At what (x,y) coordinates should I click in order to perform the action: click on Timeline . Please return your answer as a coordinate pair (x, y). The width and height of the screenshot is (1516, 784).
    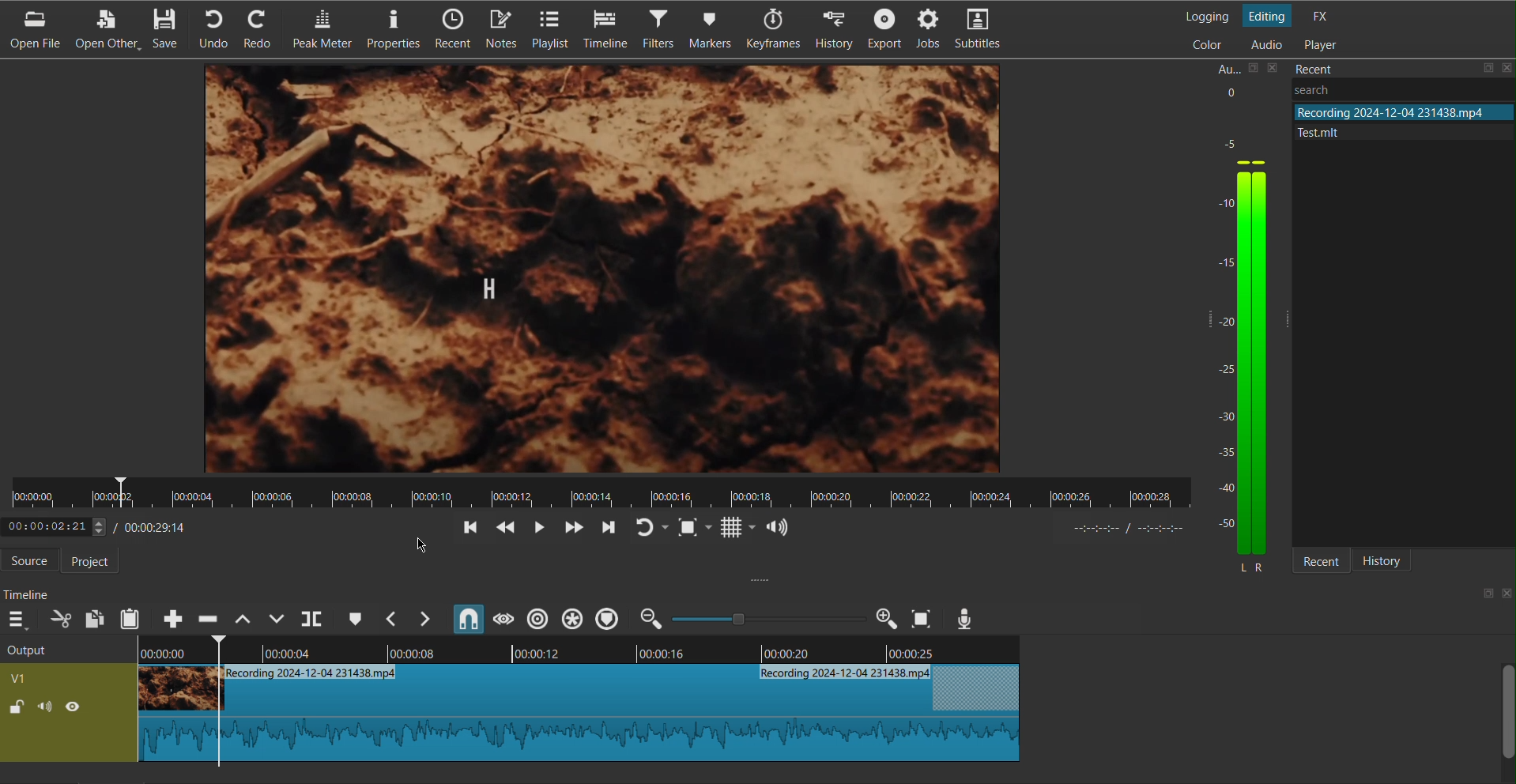
    Looking at the image, I should click on (30, 592).